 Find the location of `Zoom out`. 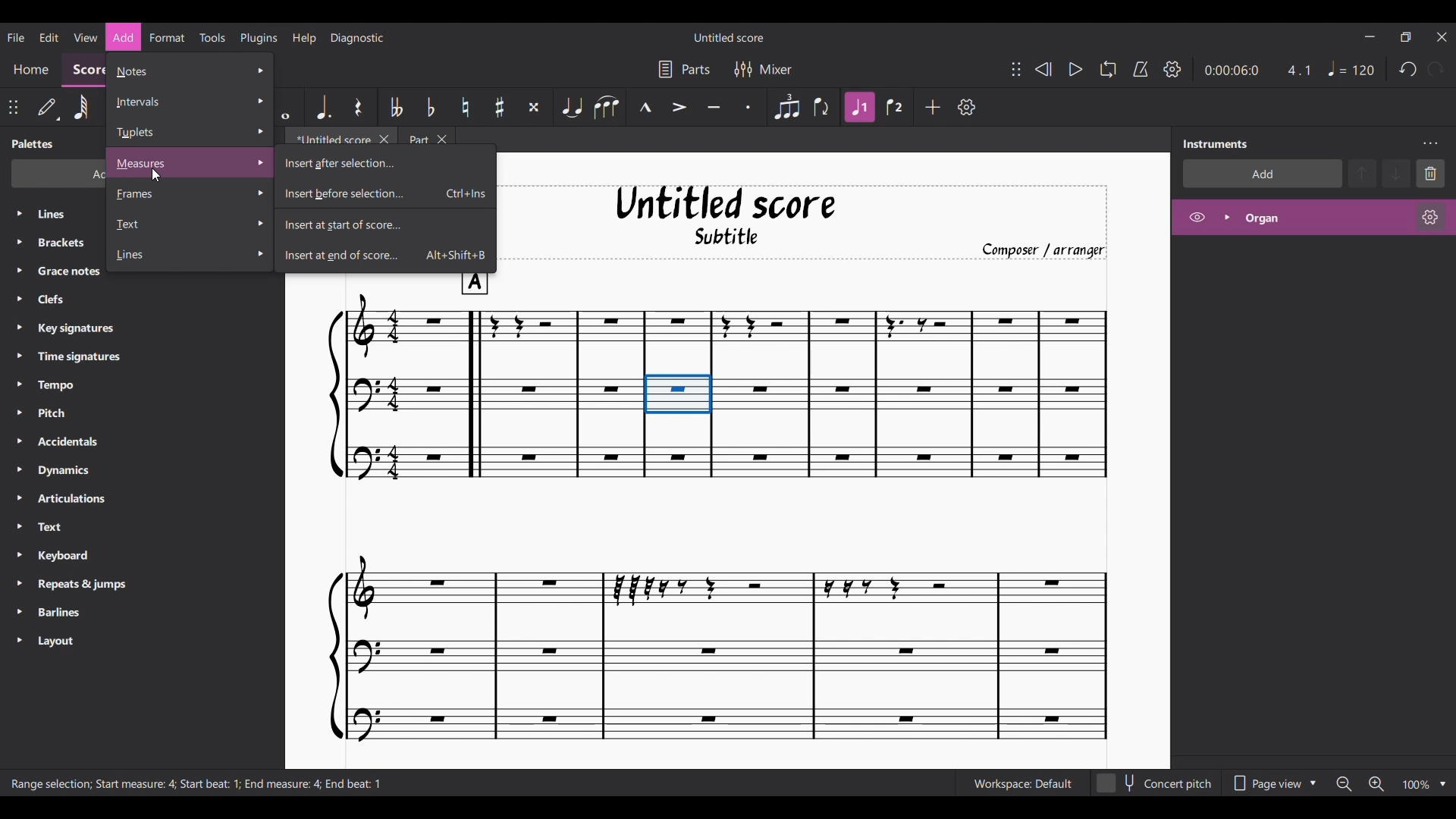

Zoom out is located at coordinates (1344, 784).